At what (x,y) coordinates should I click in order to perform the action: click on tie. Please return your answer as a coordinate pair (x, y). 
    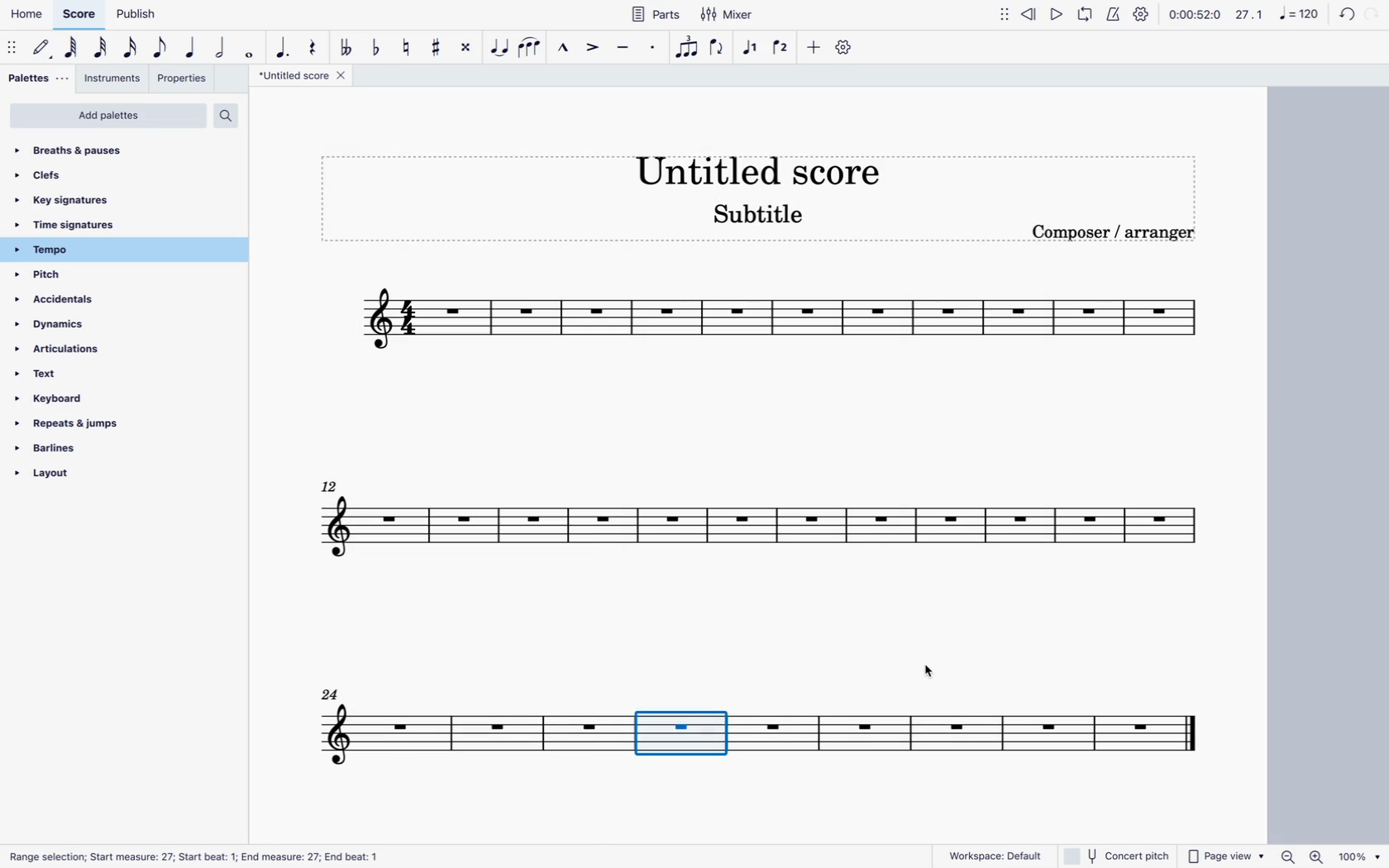
    Looking at the image, I should click on (496, 50).